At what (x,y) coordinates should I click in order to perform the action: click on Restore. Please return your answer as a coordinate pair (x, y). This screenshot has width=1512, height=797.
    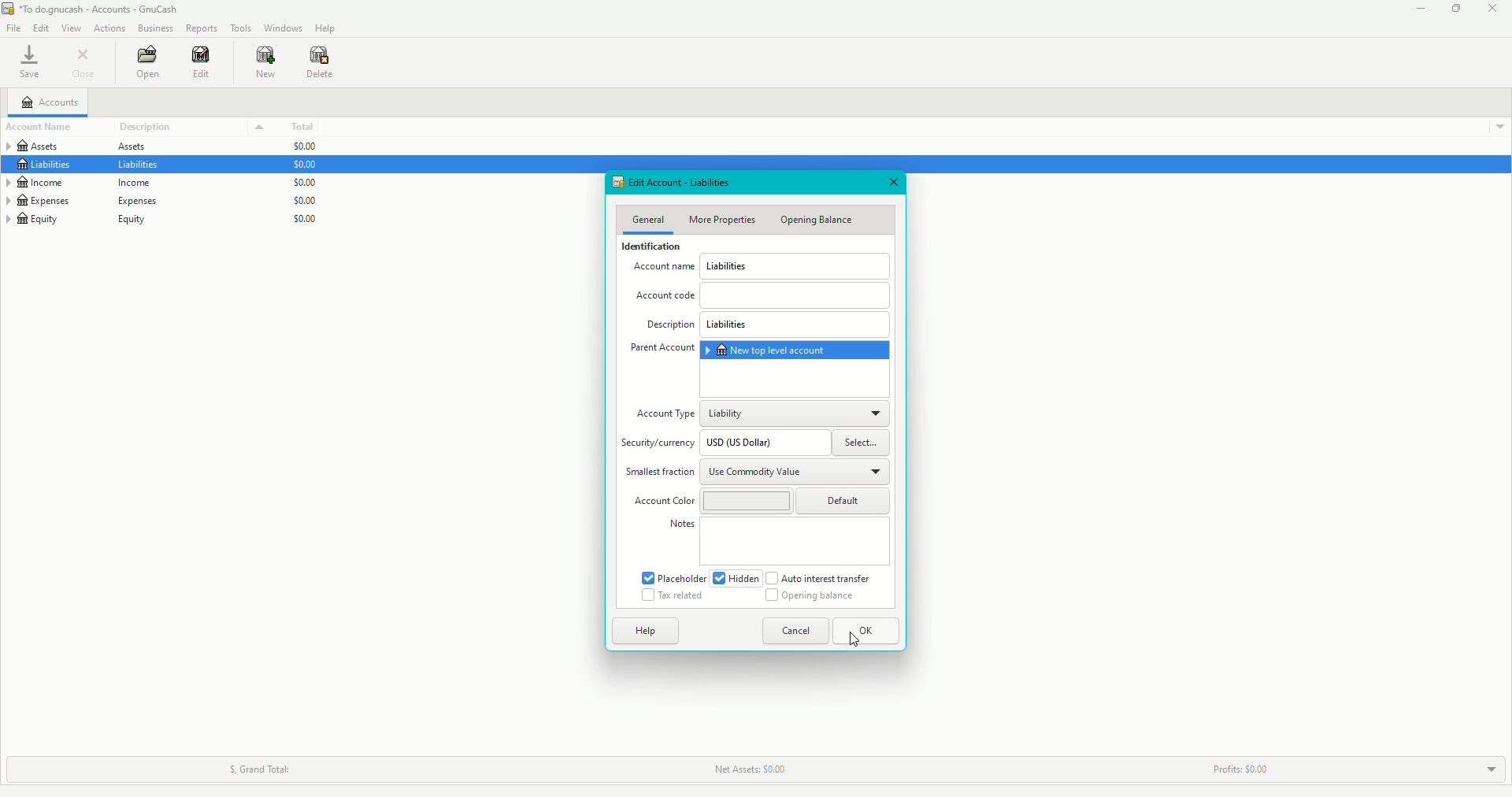
    Looking at the image, I should click on (1452, 9).